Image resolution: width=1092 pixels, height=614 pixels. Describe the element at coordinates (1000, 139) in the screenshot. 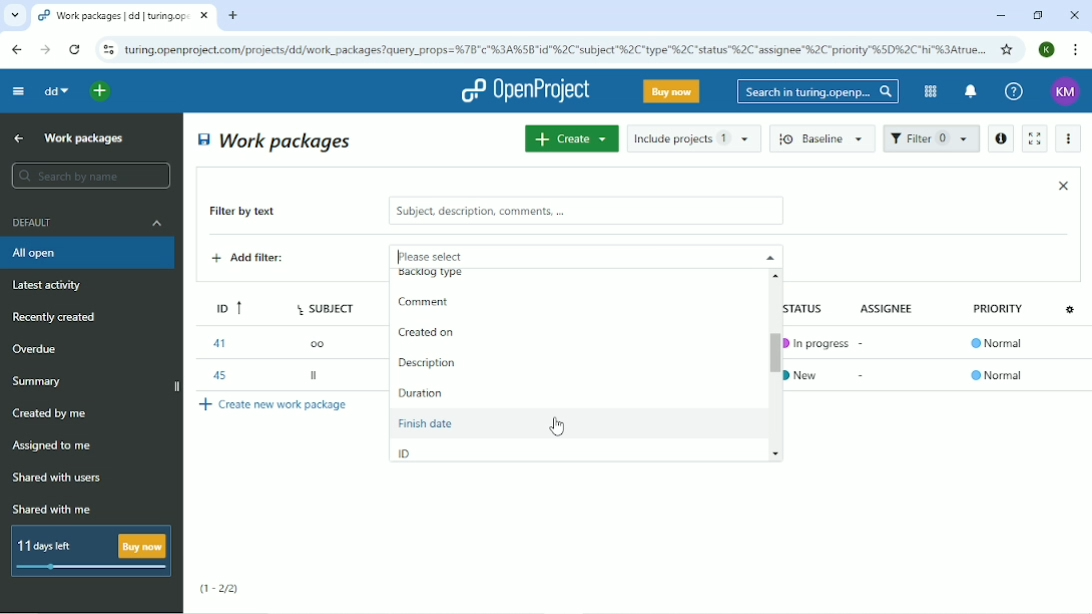

I see `Open details view` at that location.